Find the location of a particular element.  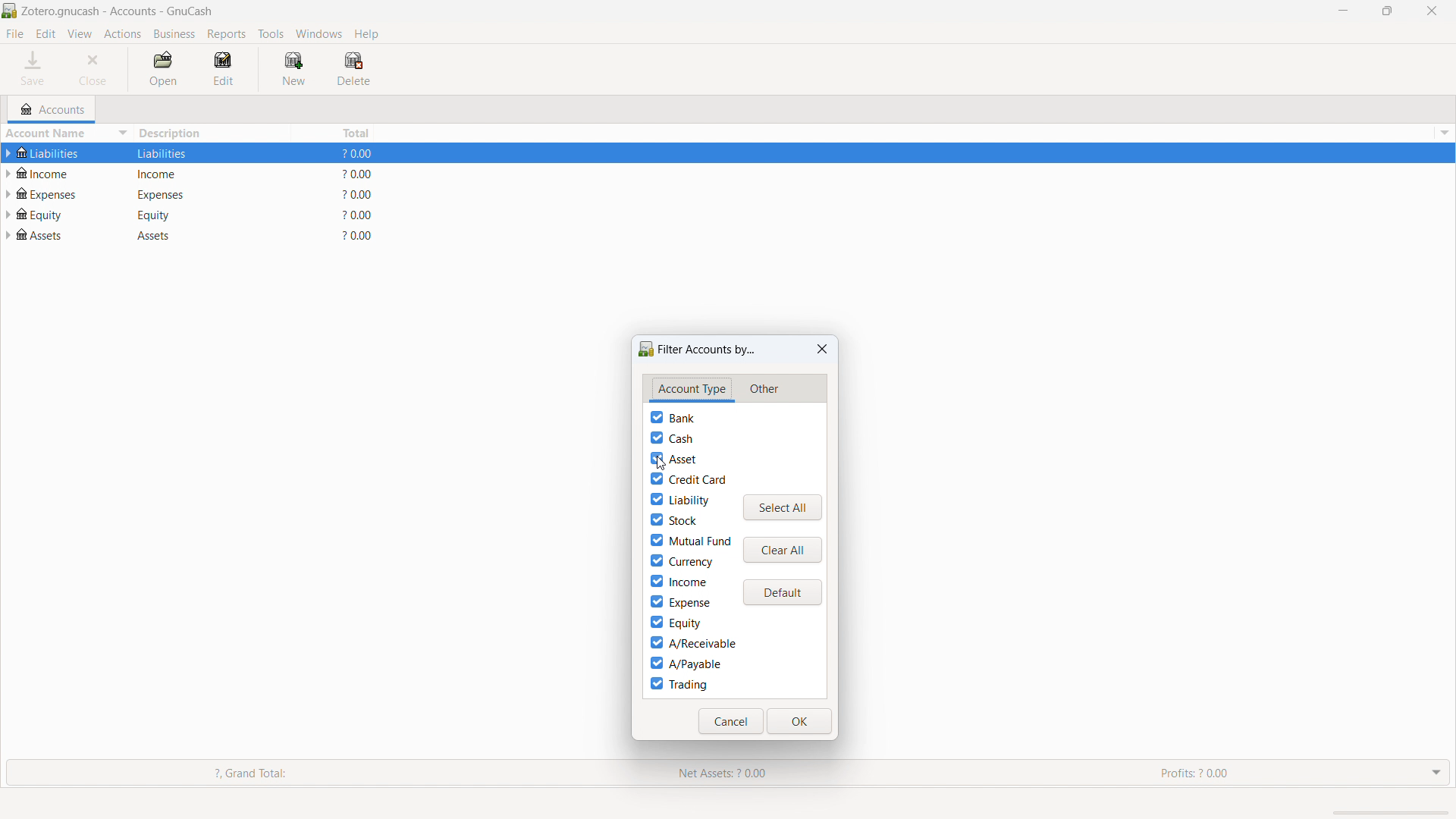

edit is located at coordinates (45, 34).